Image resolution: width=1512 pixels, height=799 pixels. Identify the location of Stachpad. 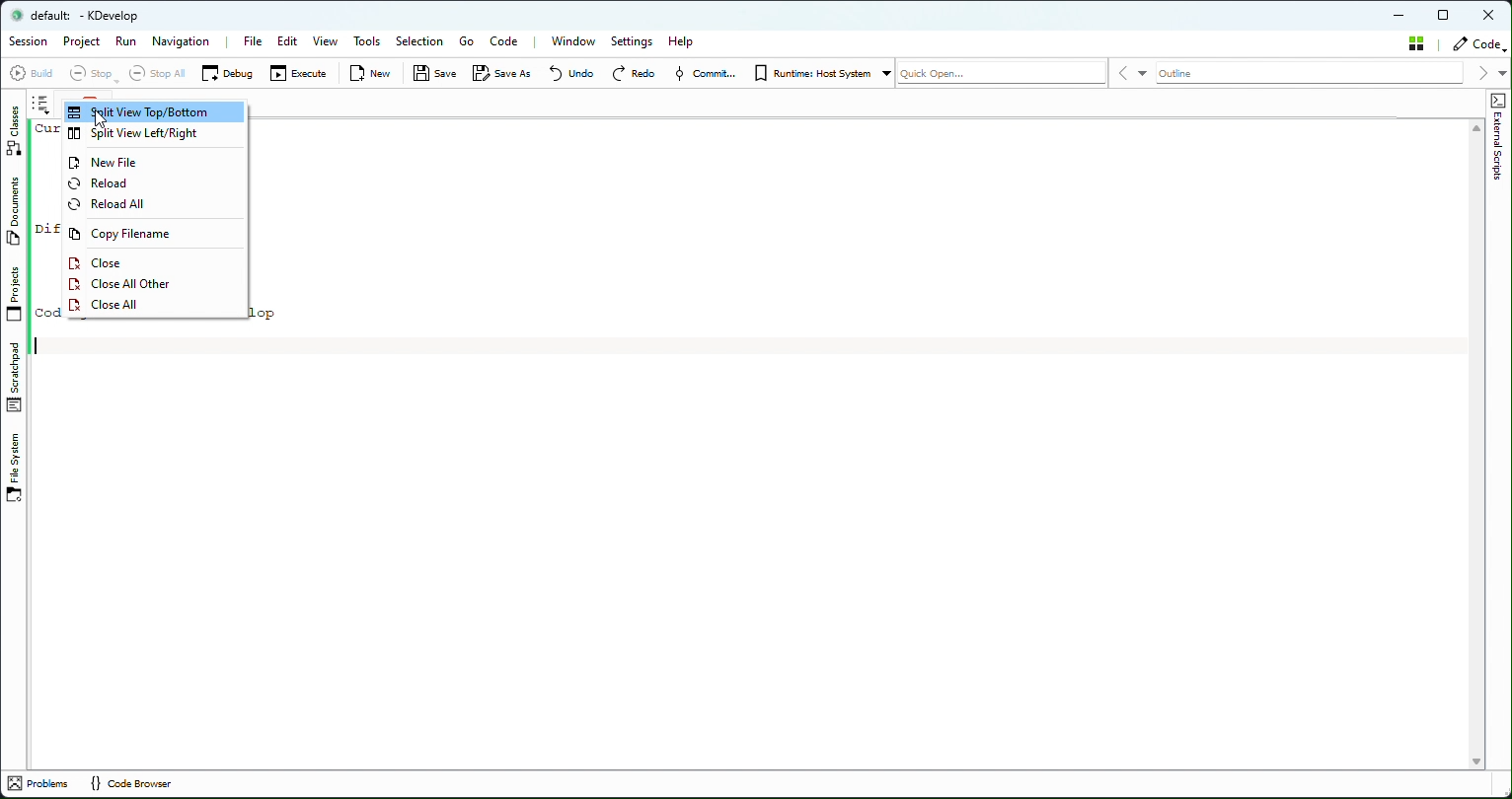
(14, 380).